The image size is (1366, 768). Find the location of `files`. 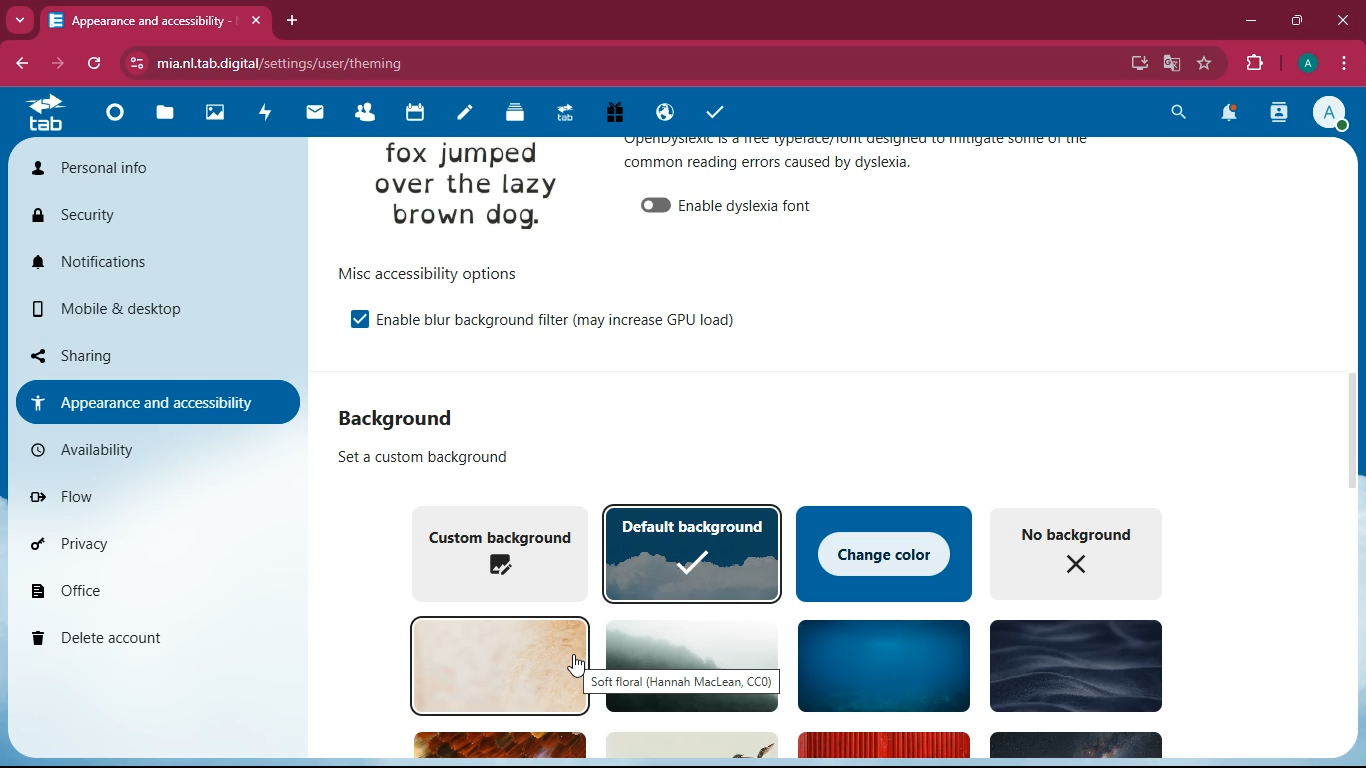

files is located at coordinates (164, 115).